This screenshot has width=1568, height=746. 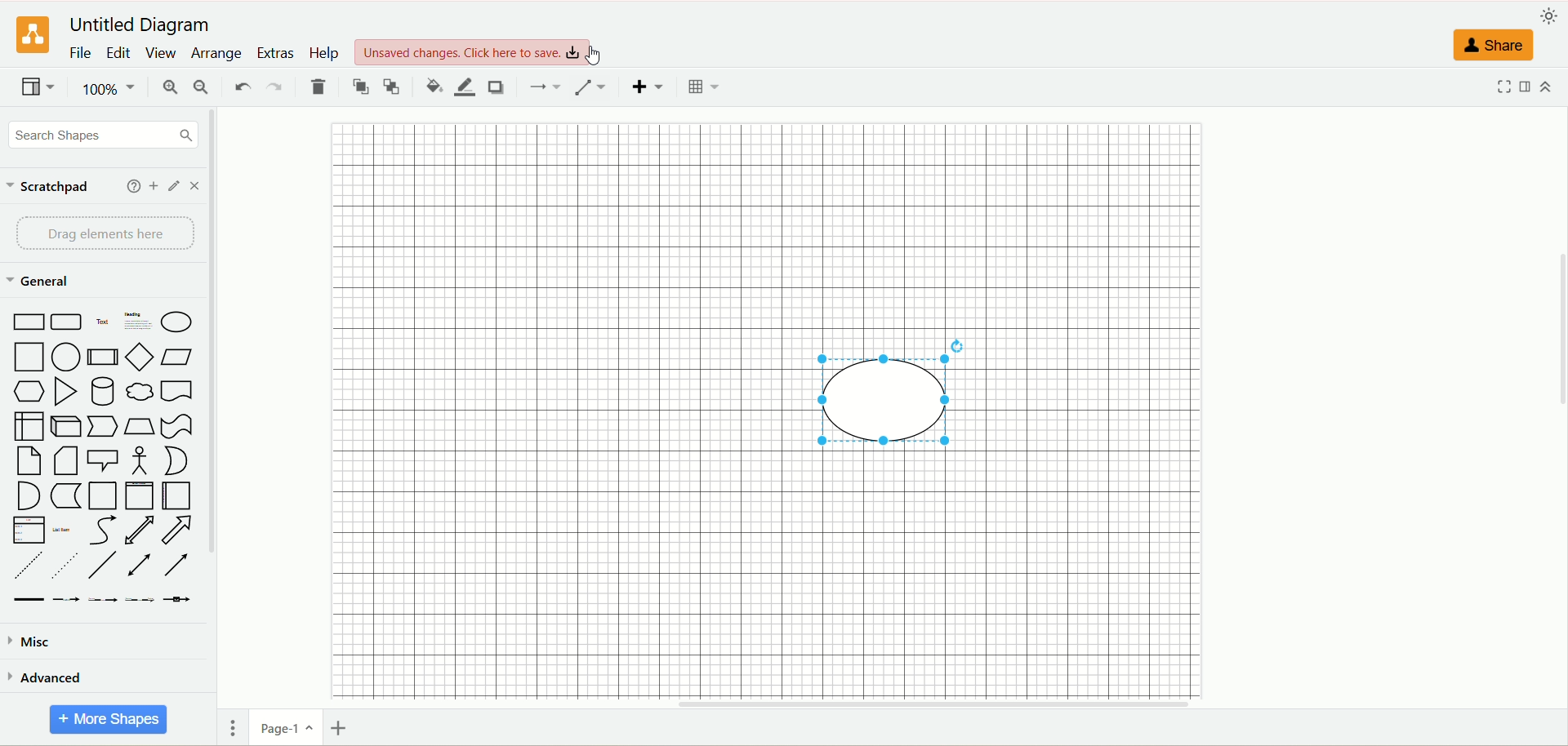 I want to click on edit, so click(x=121, y=53).